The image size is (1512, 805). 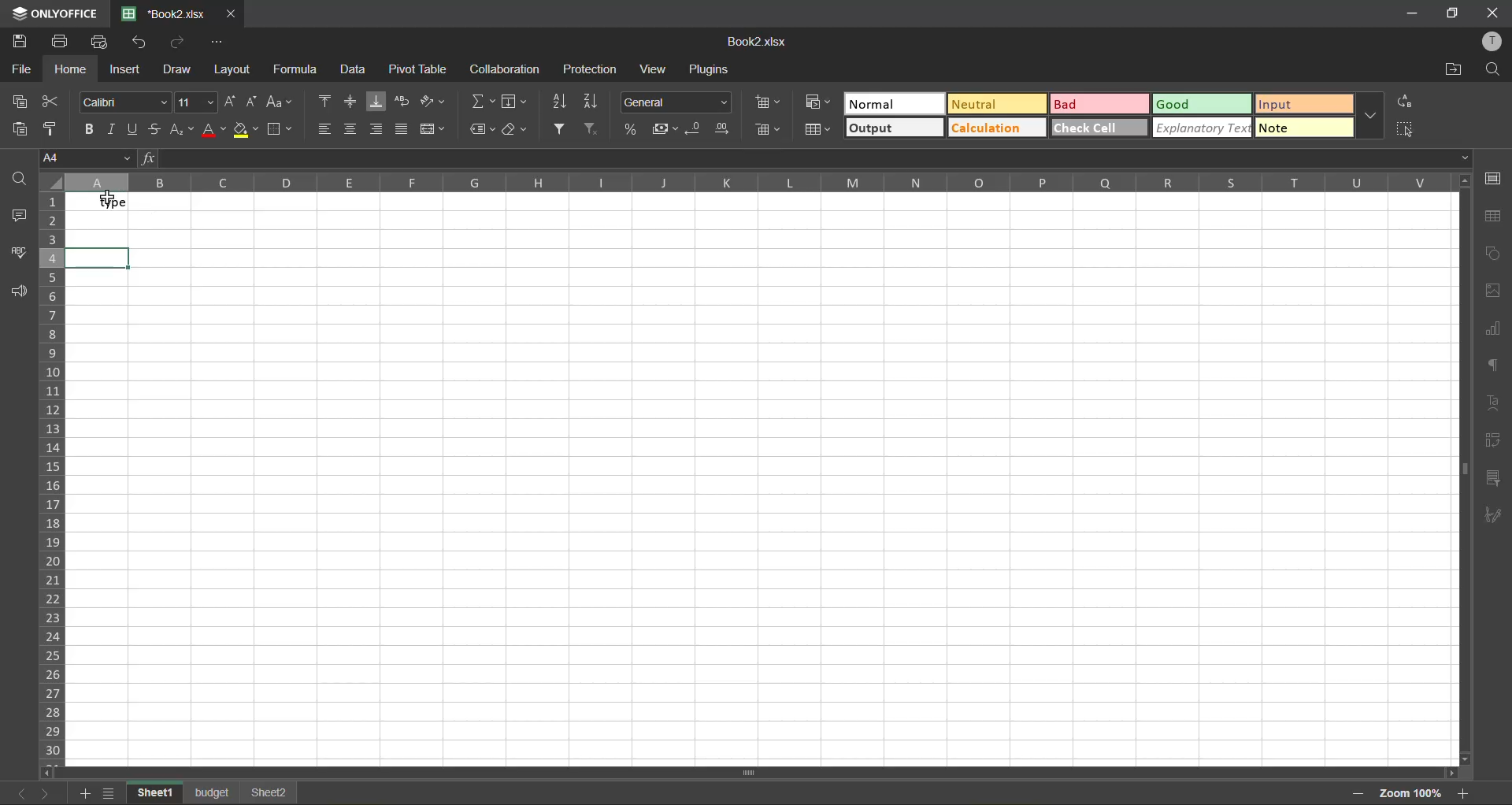 I want to click on filter, so click(x=561, y=129).